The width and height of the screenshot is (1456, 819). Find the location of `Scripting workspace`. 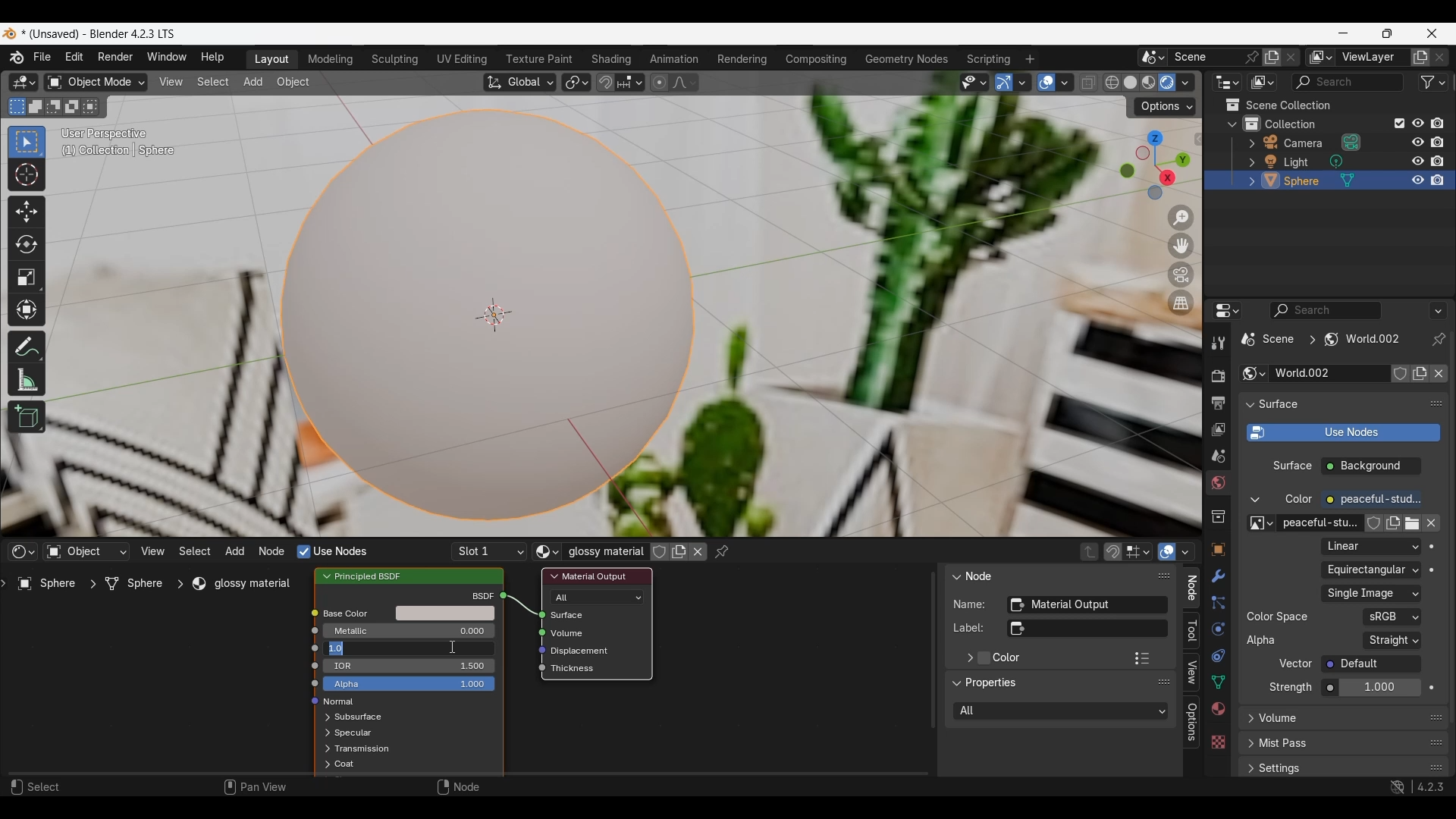

Scripting workspace is located at coordinates (989, 60).